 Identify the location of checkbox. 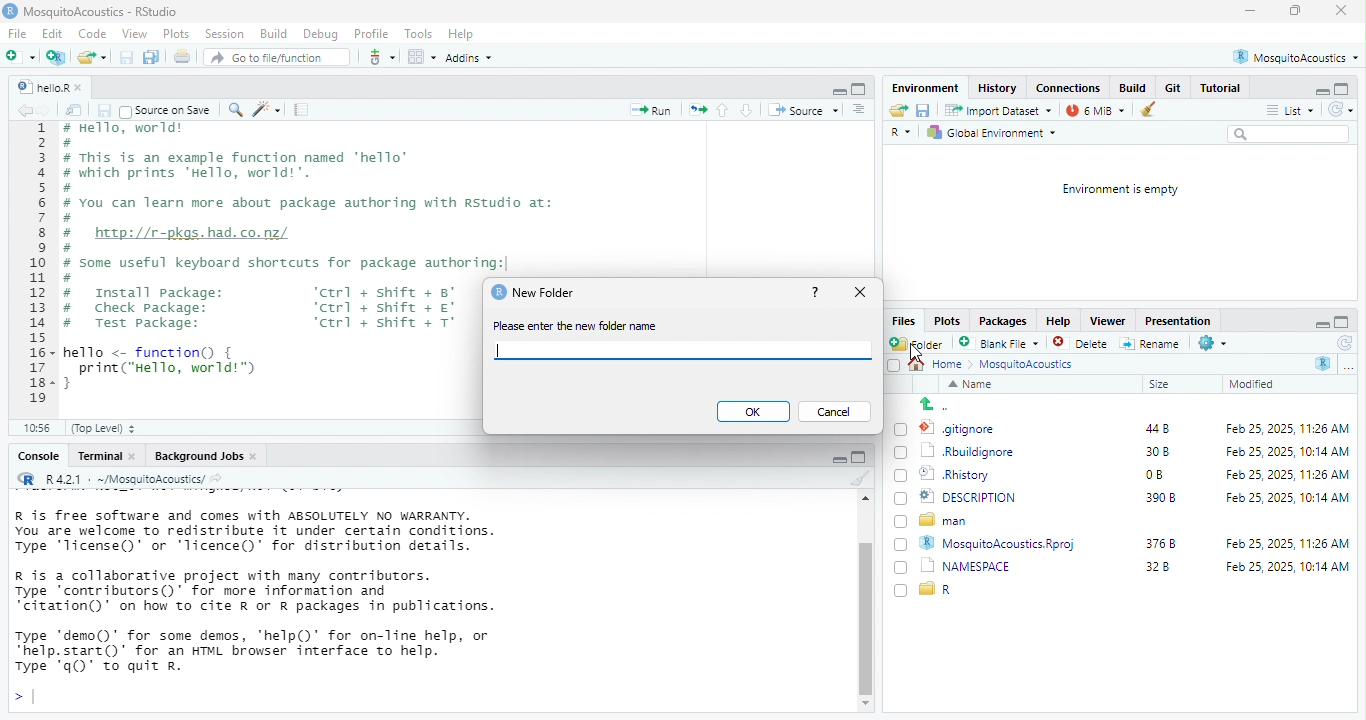
(900, 478).